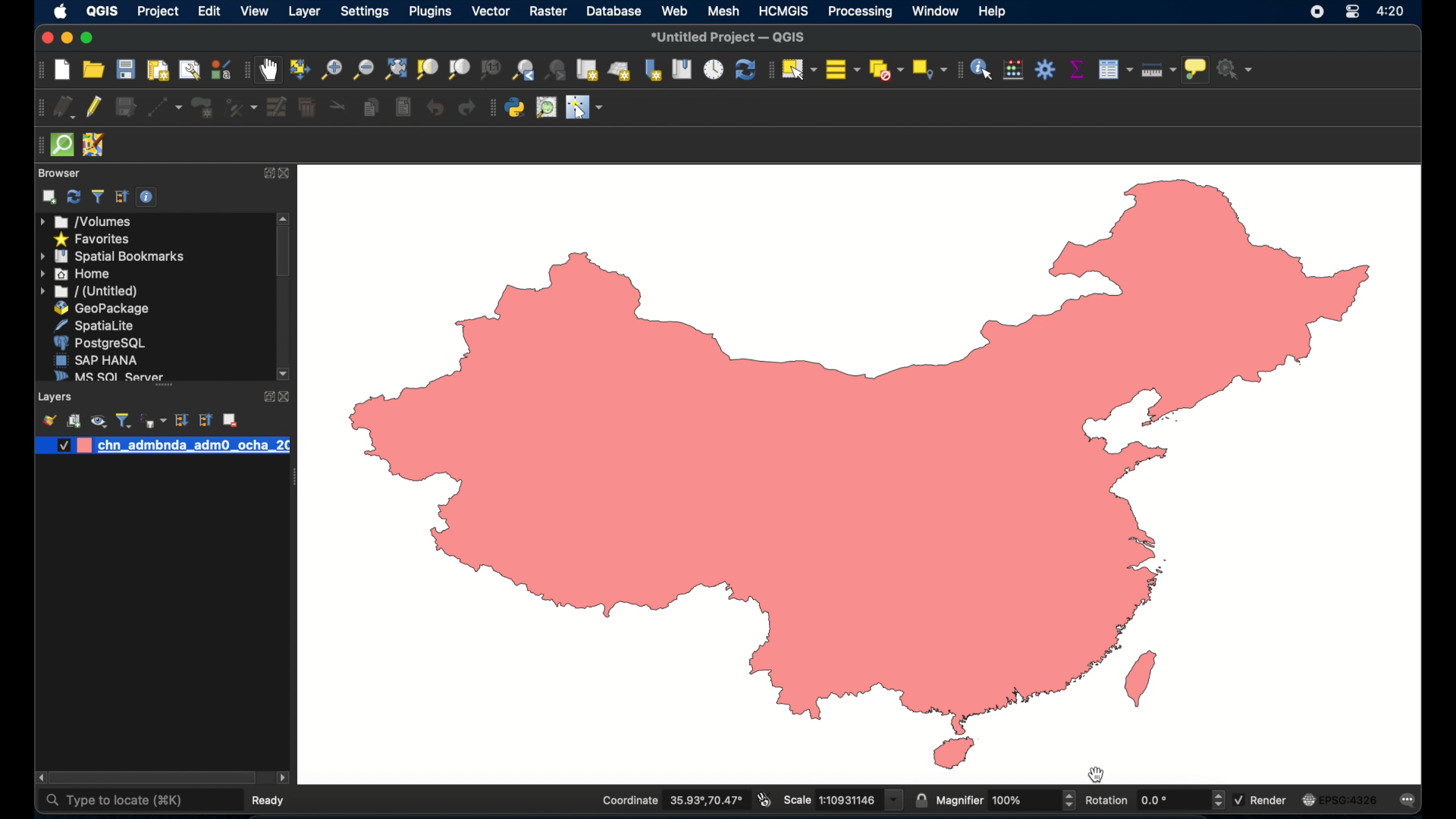 Image resolution: width=1456 pixels, height=819 pixels. I want to click on osm place search, so click(548, 108).